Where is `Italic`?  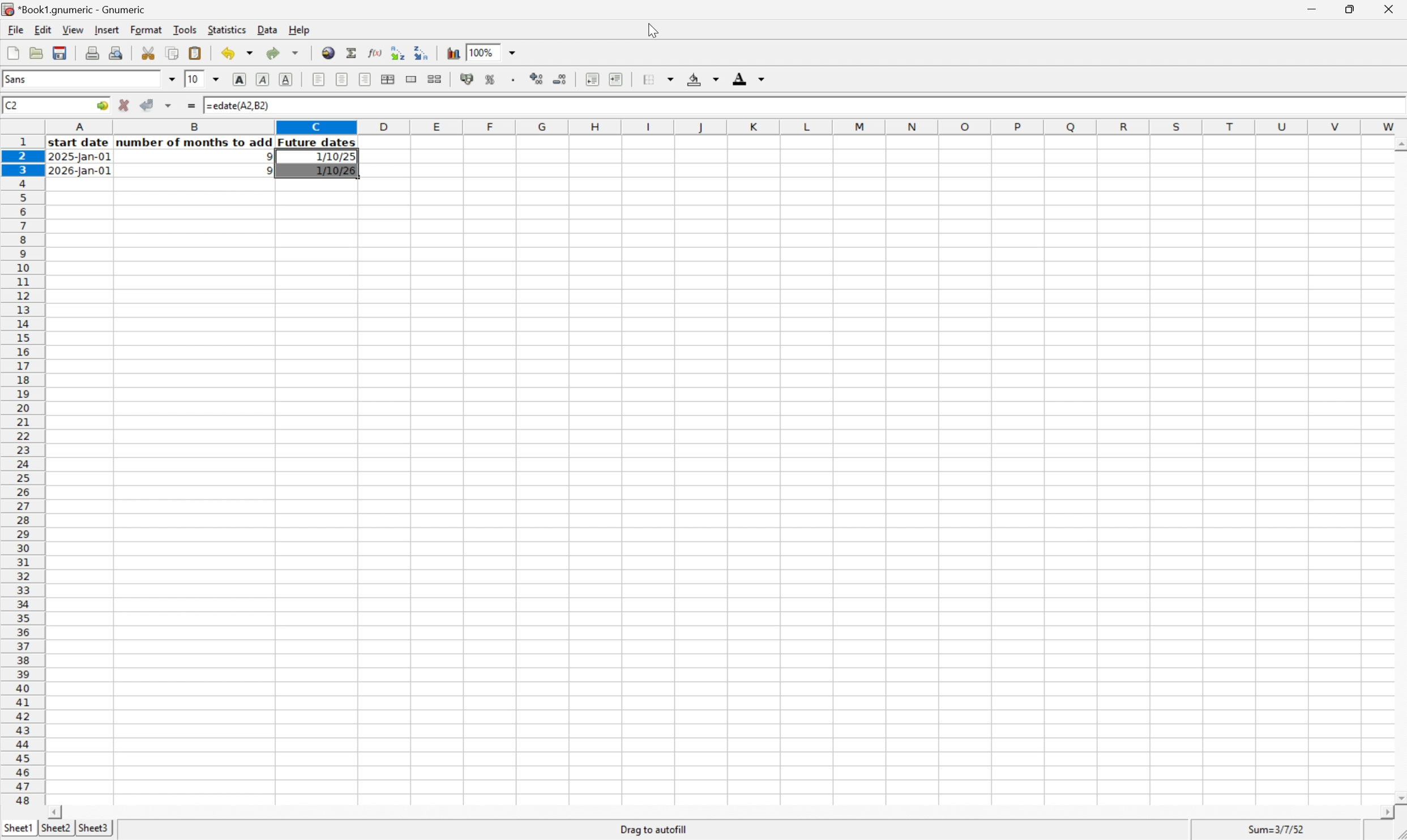
Italic is located at coordinates (263, 79).